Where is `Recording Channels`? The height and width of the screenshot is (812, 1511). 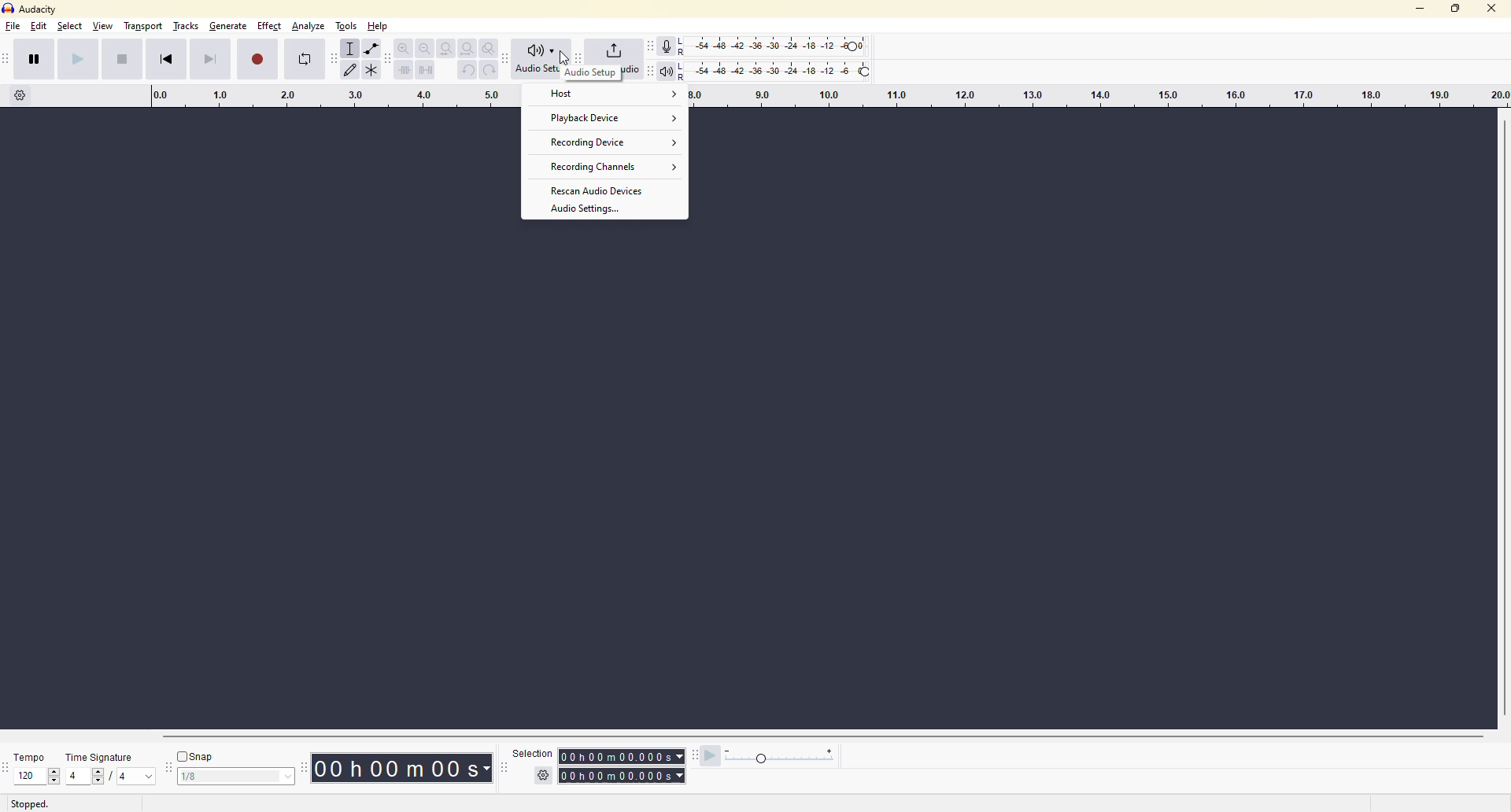 Recording Channels is located at coordinates (615, 167).